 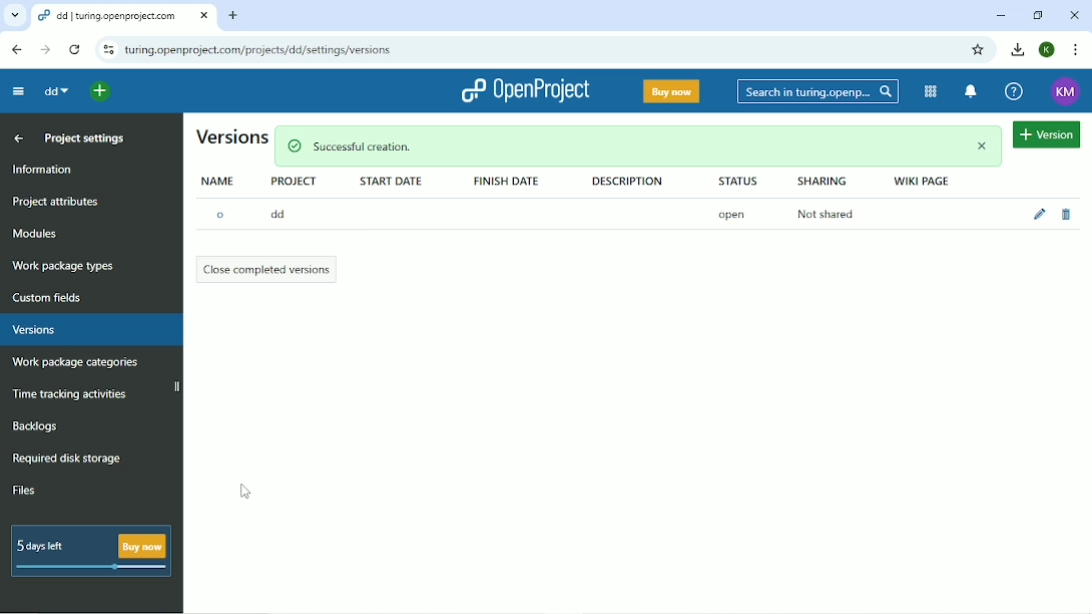 What do you see at coordinates (18, 50) in the screenshot?
I see `Back` at bounding box center [18, 50].